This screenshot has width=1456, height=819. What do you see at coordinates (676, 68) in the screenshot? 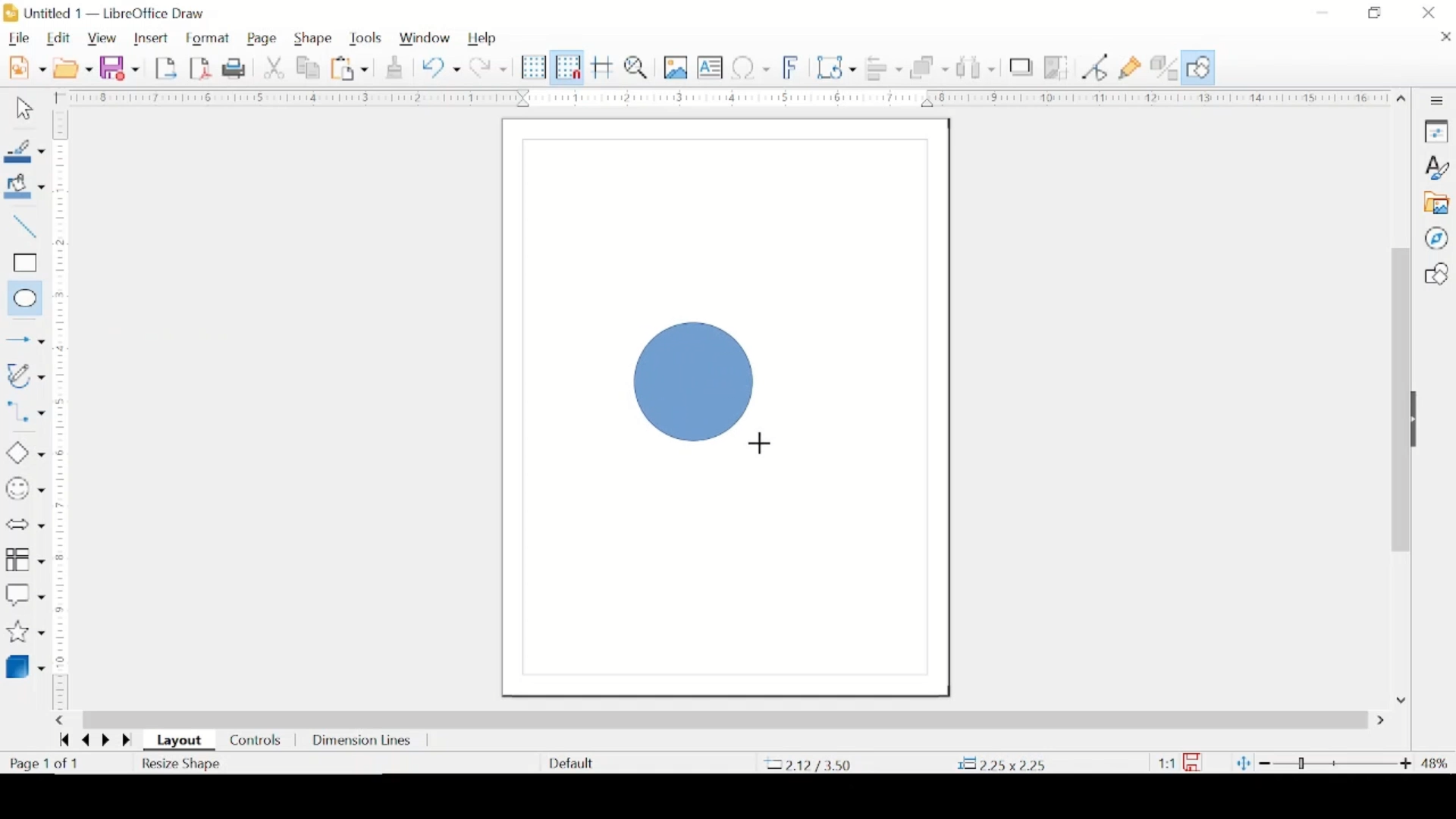
I see `insert image` at bounding box center [676, 68].